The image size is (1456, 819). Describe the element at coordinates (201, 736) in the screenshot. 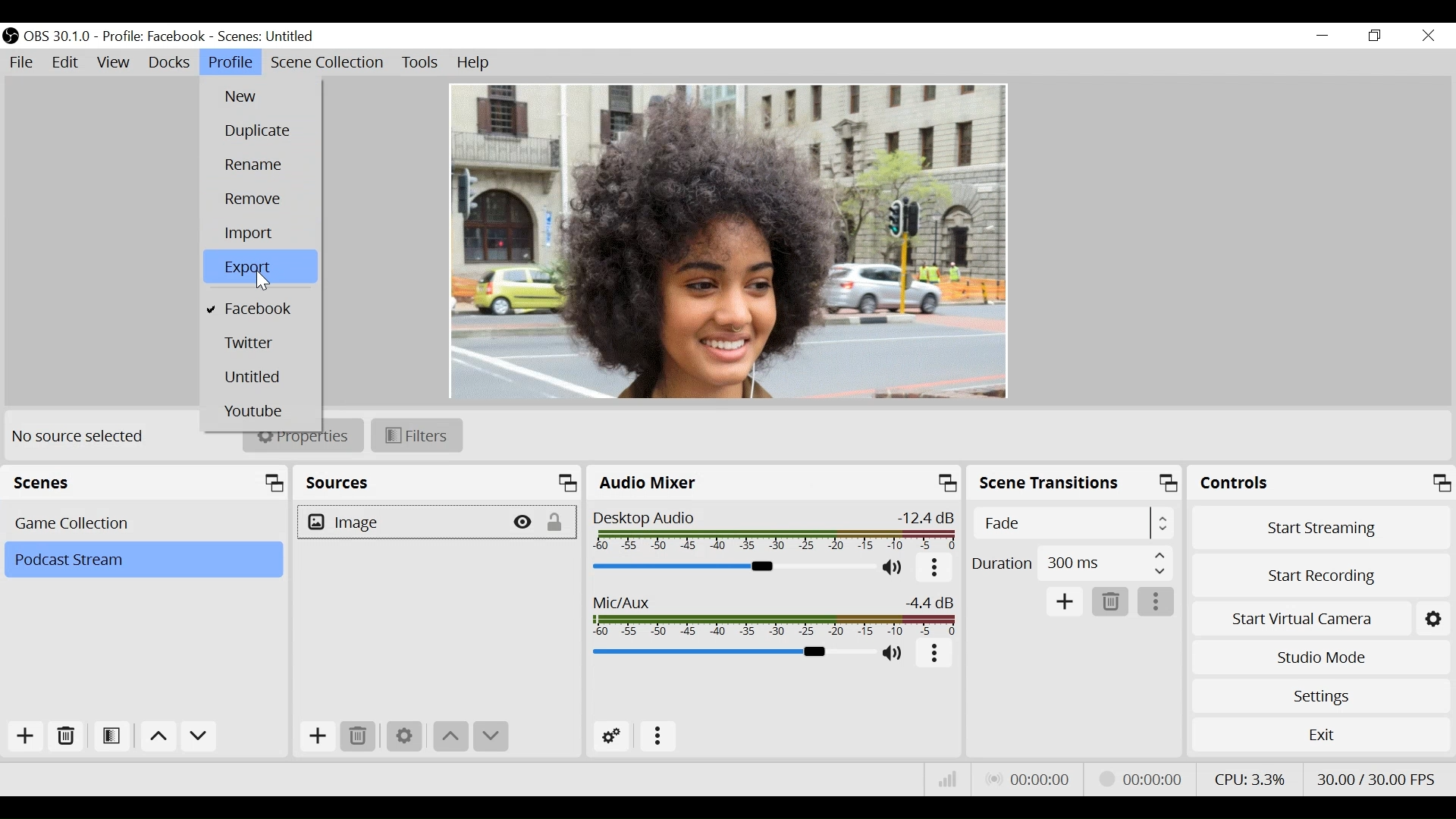

I see `Move down` at that location.